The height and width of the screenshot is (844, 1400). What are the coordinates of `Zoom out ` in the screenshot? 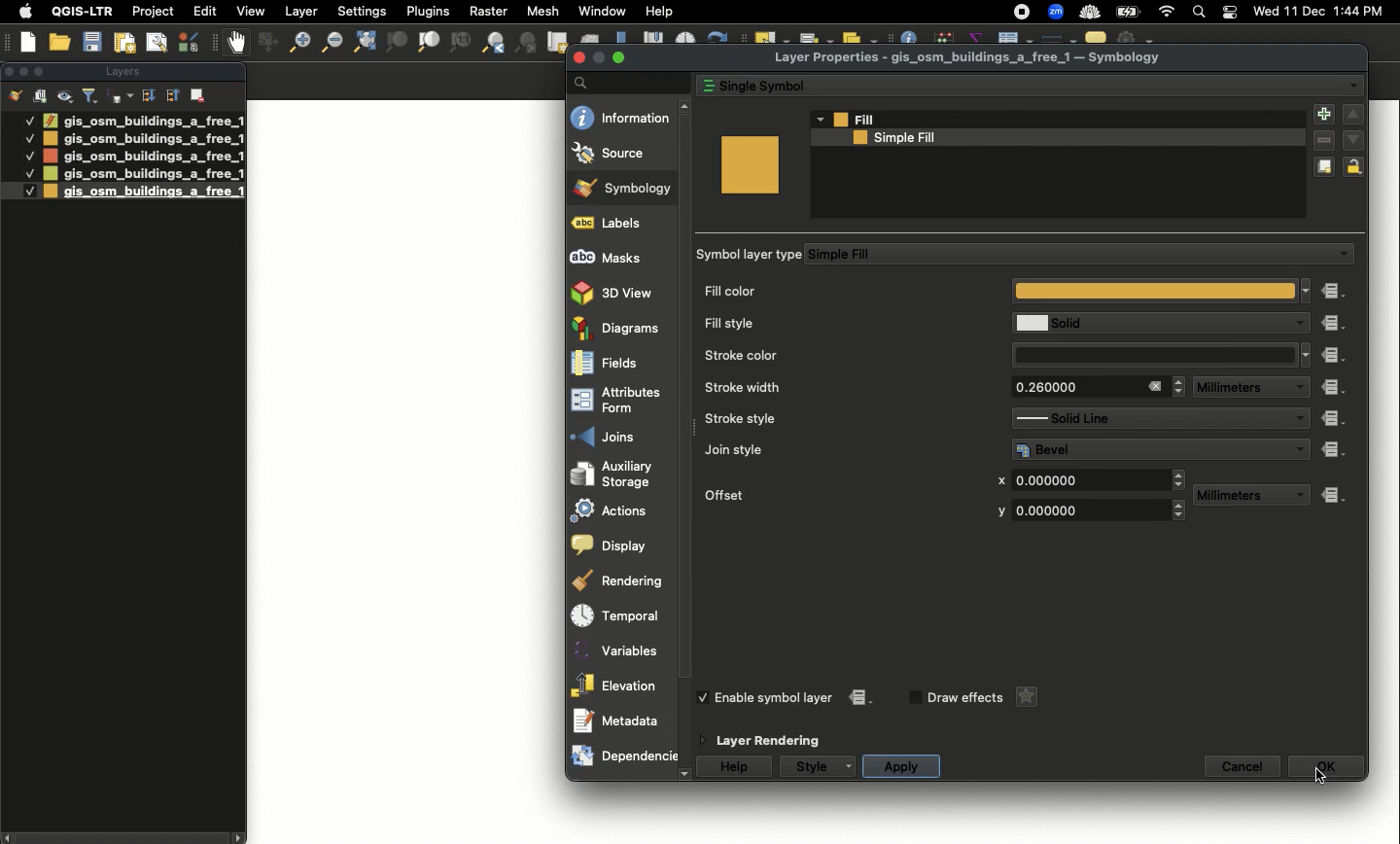 It's located at (330, 42).